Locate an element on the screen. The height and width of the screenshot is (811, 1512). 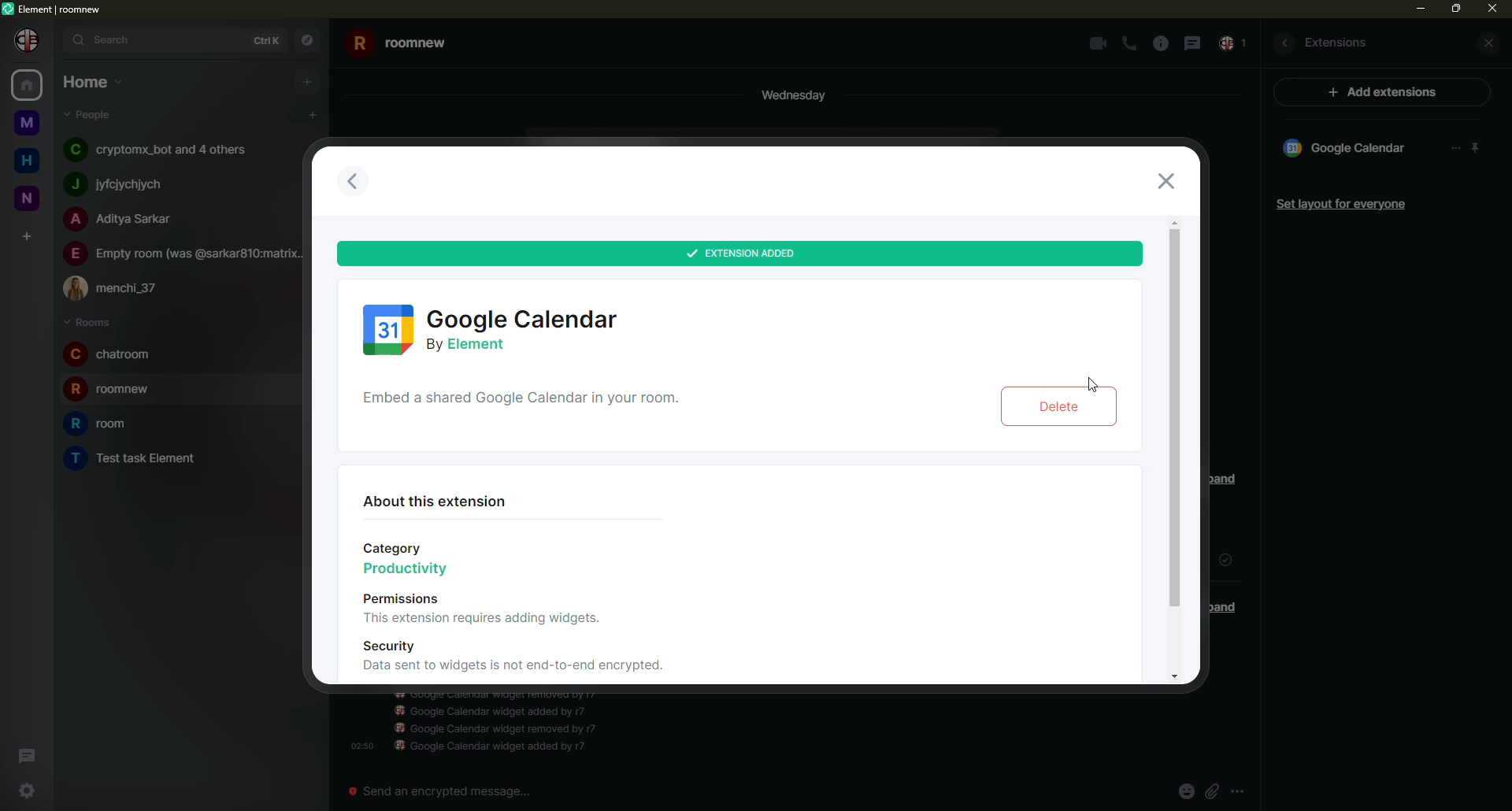
attach is located at coordinates (1210, 790).